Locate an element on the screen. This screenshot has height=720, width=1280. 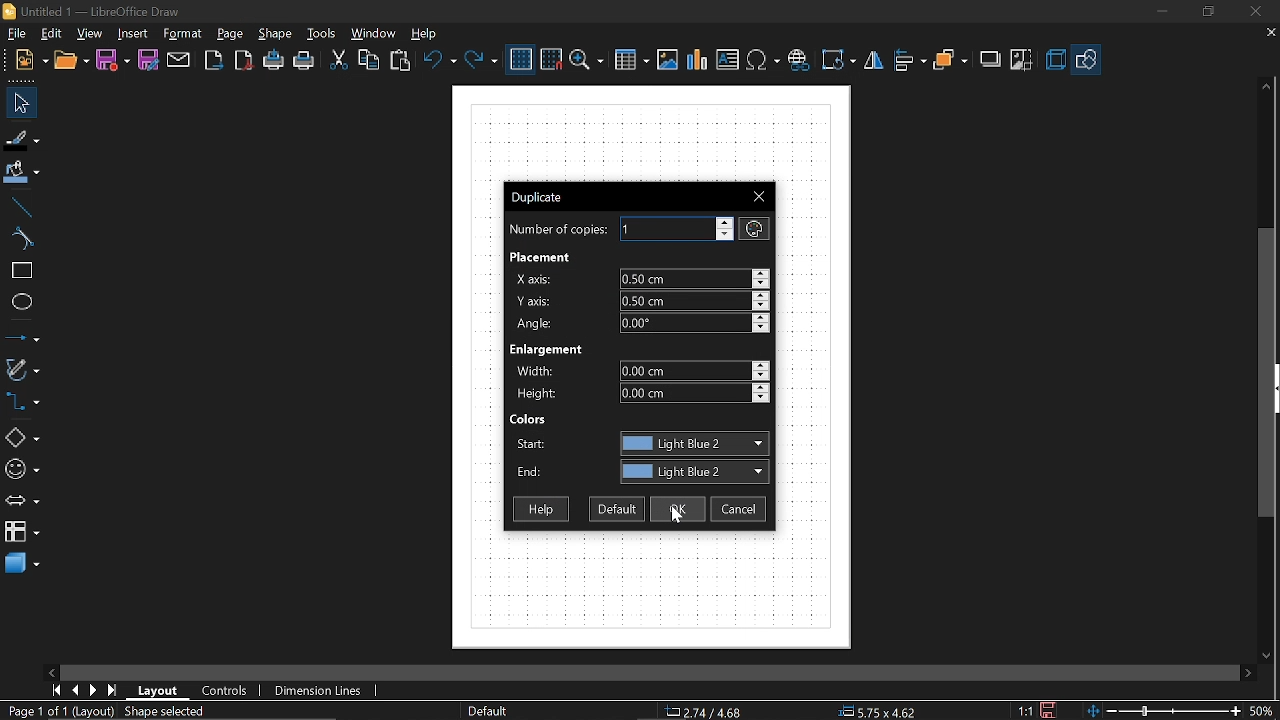
arrows is located at coordinates (22, 501).